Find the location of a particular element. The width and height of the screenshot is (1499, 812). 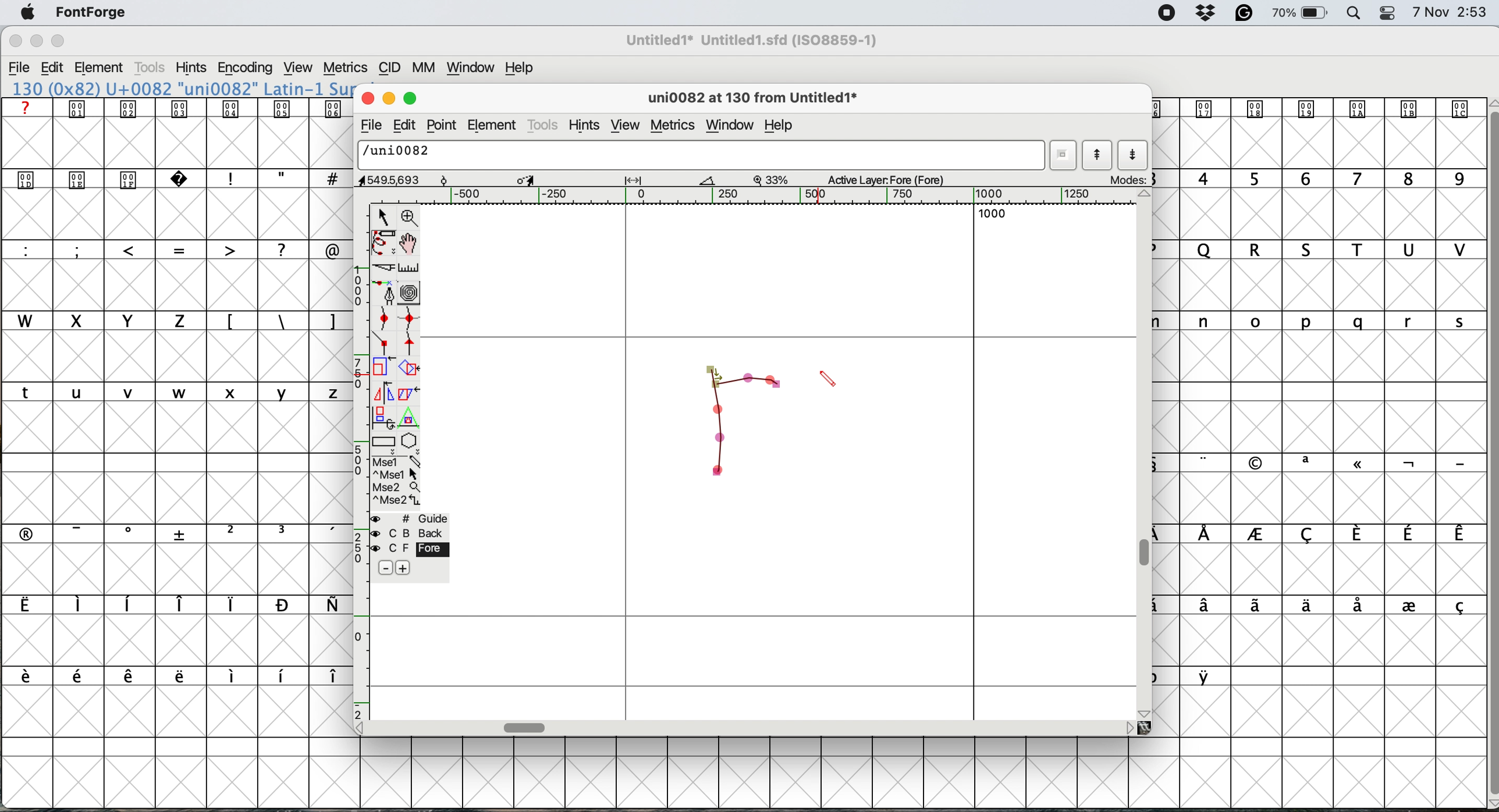

tools is located at coordinates (151, 67).